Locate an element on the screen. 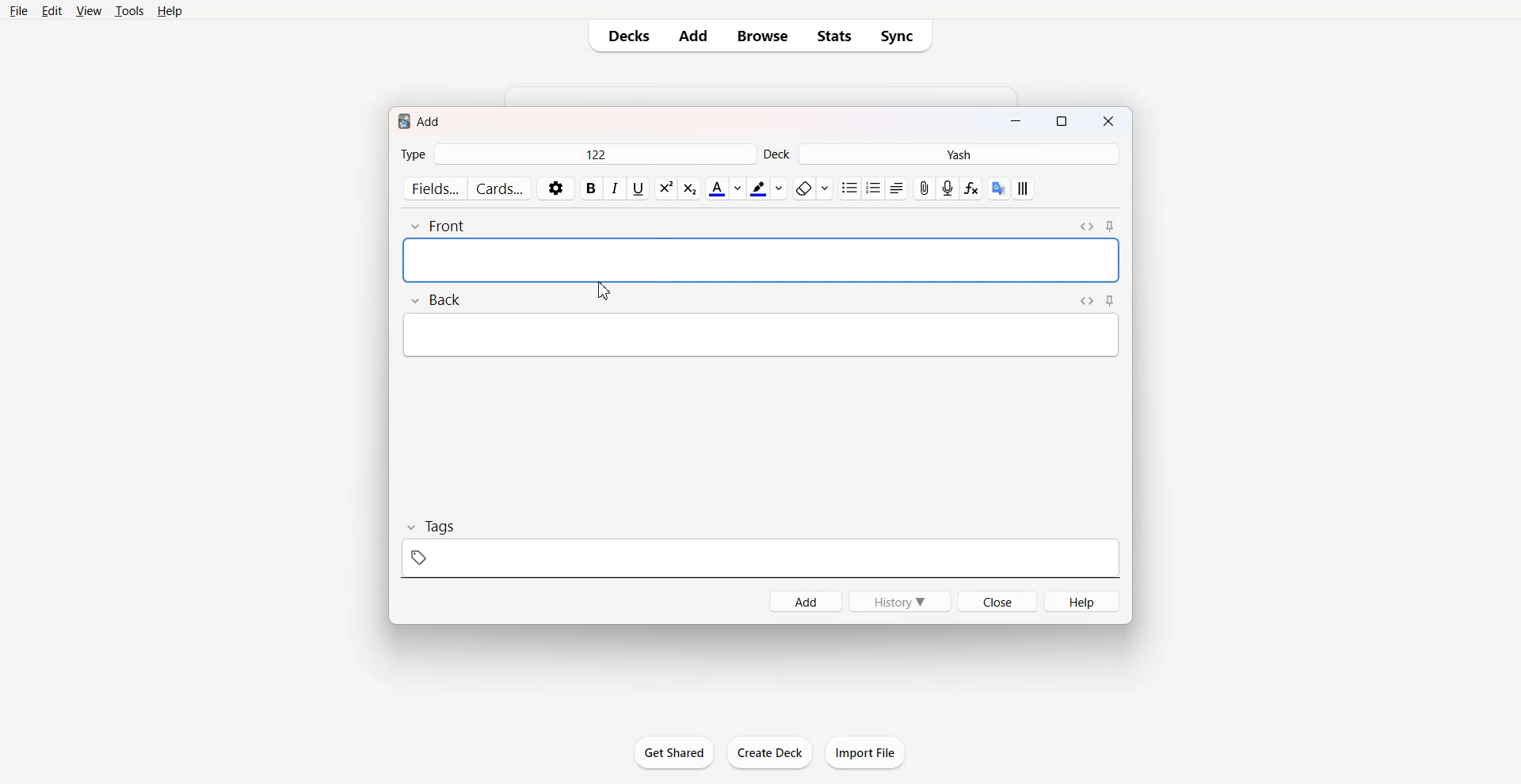  Custom Style Layout is located at coordinates (1024, 188).